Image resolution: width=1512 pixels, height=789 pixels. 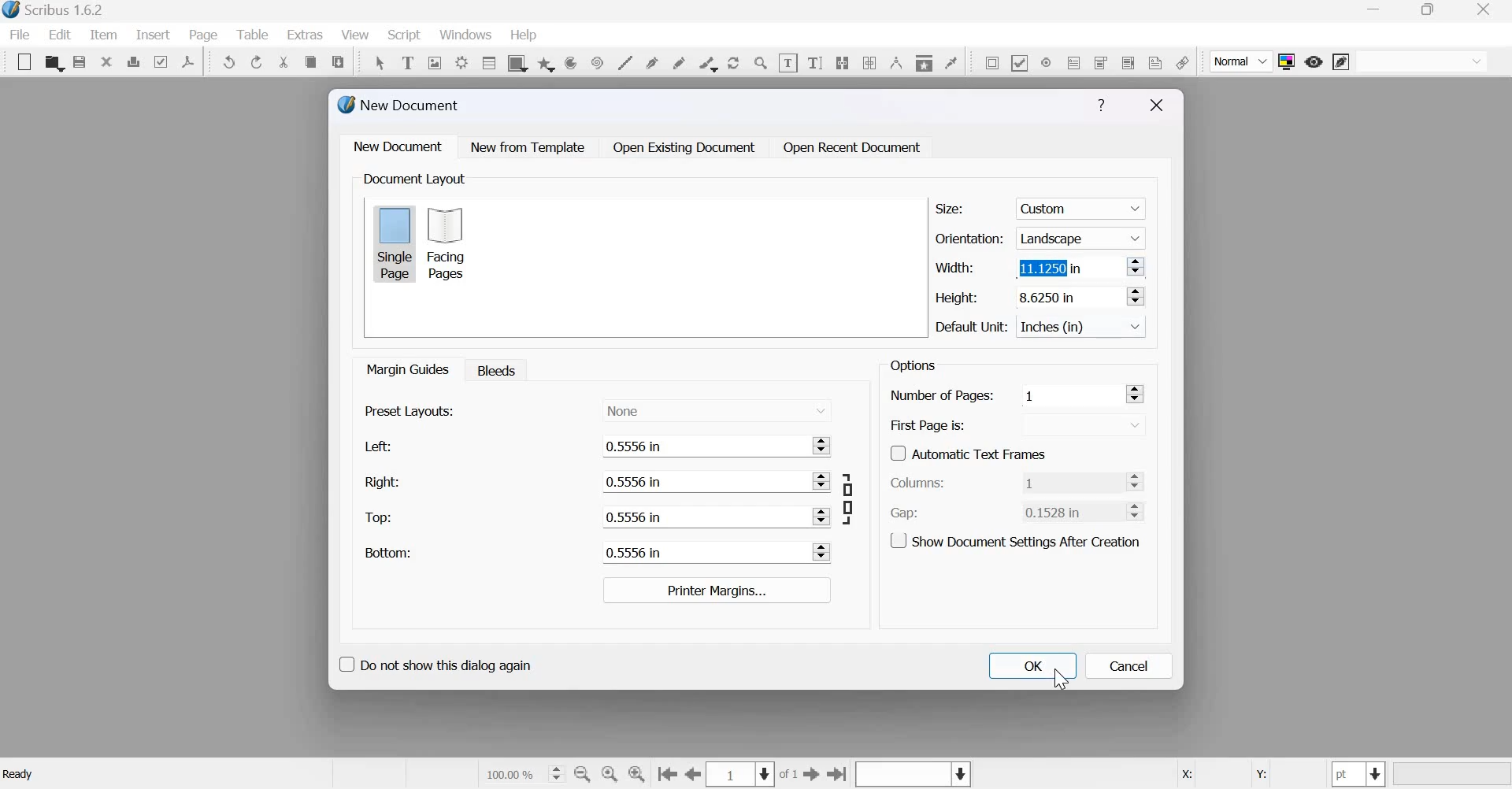 What do you see at coordinates (895, 62) in the screenshot?
I see `Measurements` at bounding box center [895, 62].